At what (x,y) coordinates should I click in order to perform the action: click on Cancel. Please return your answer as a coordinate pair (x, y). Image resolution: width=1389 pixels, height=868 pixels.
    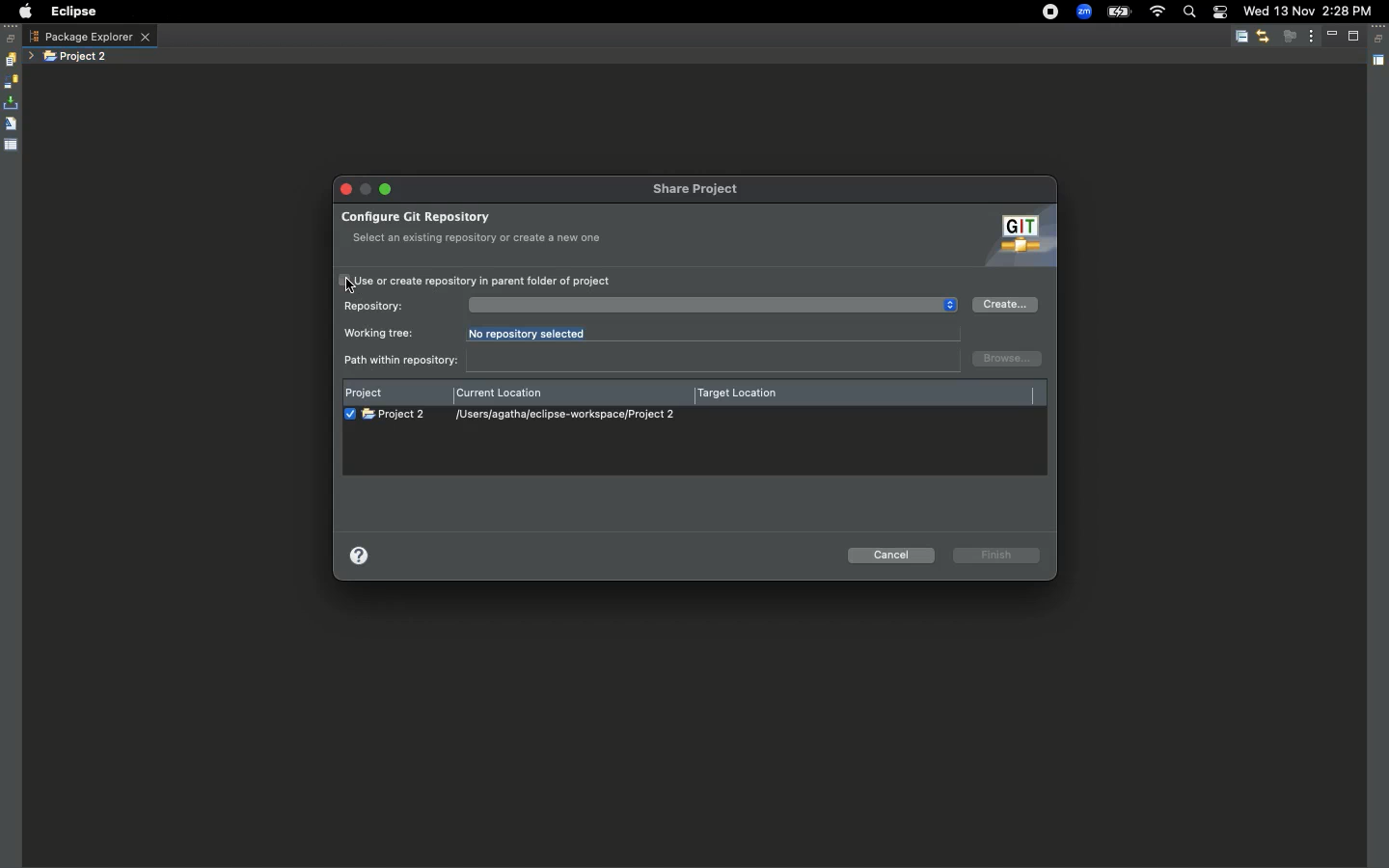
    Looking at the image, I should click on (893, 556).